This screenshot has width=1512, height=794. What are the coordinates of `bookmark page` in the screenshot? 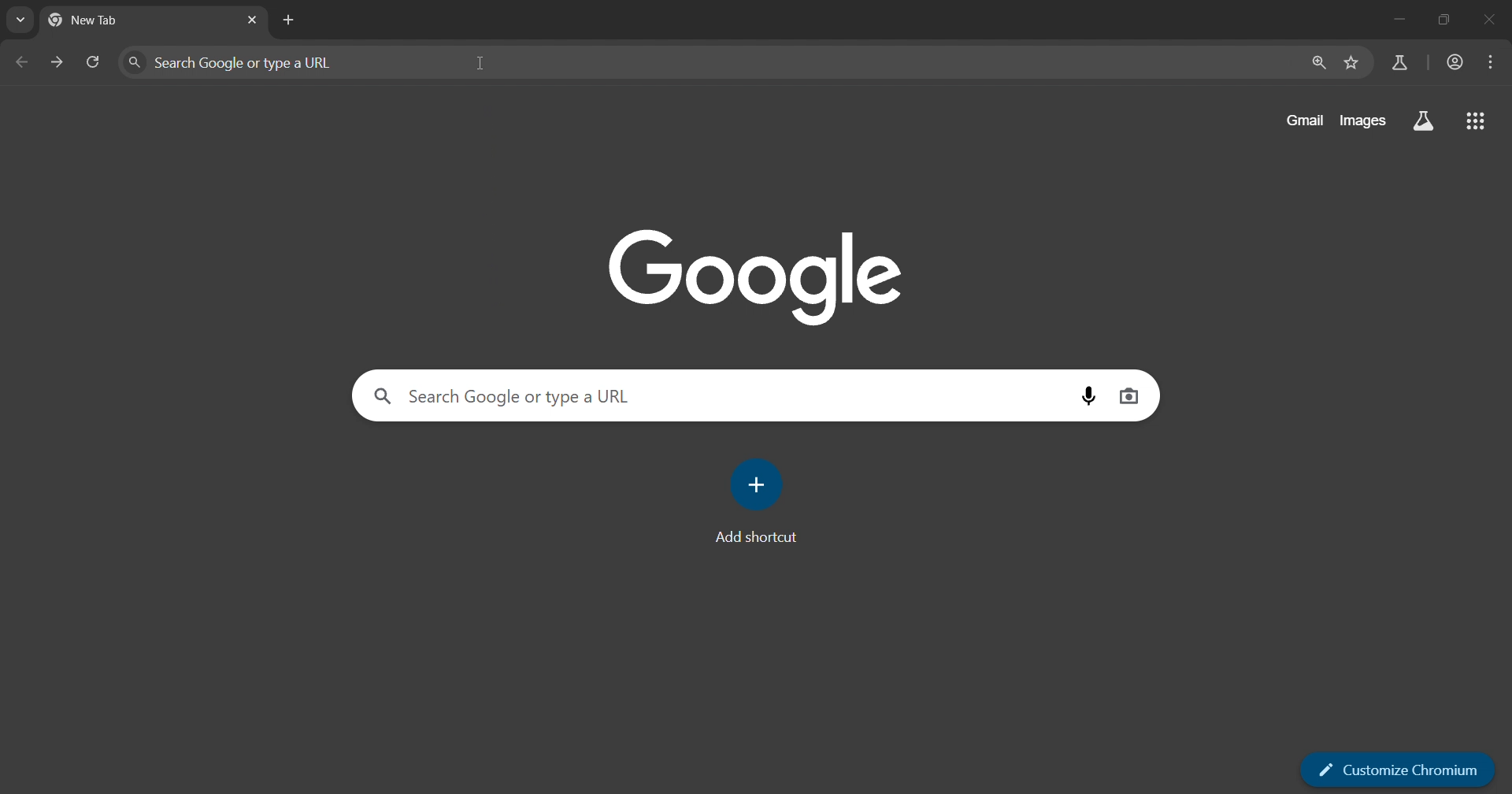 It's located at (1348, 63).